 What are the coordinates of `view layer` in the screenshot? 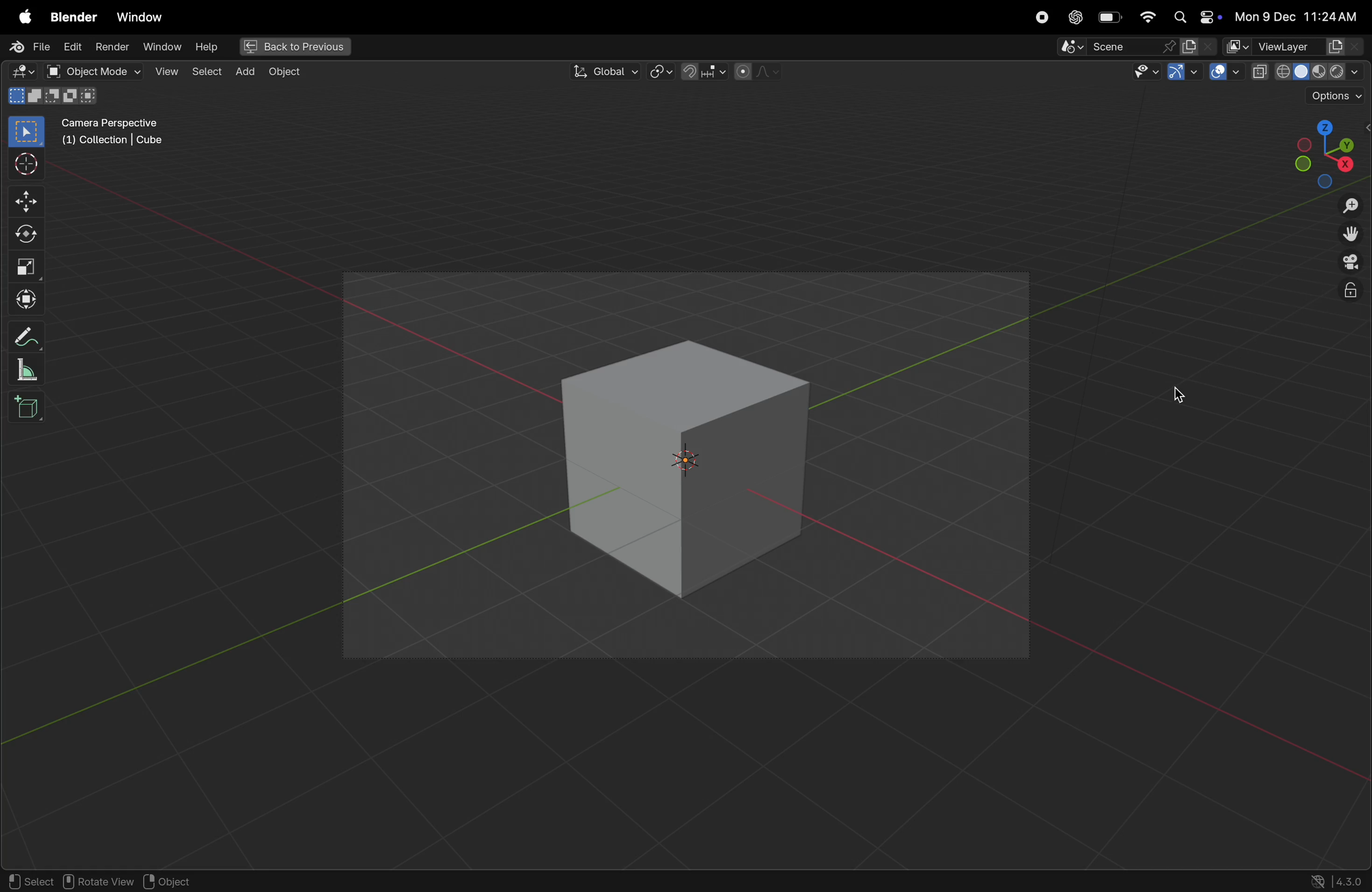 It's located at (1296, 46).